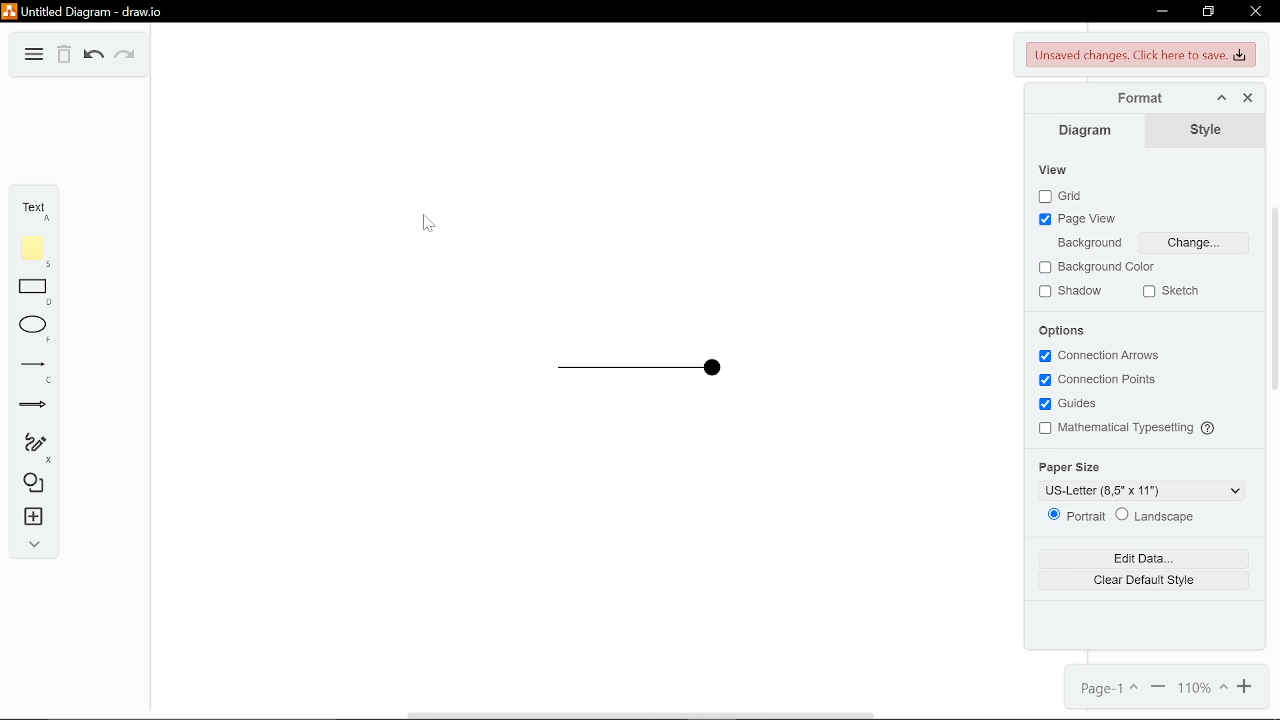  What do you see at coordinates (617, 369) in the screenshot?
I see `Arrow with circle head style` at bounding box center [617, 369].